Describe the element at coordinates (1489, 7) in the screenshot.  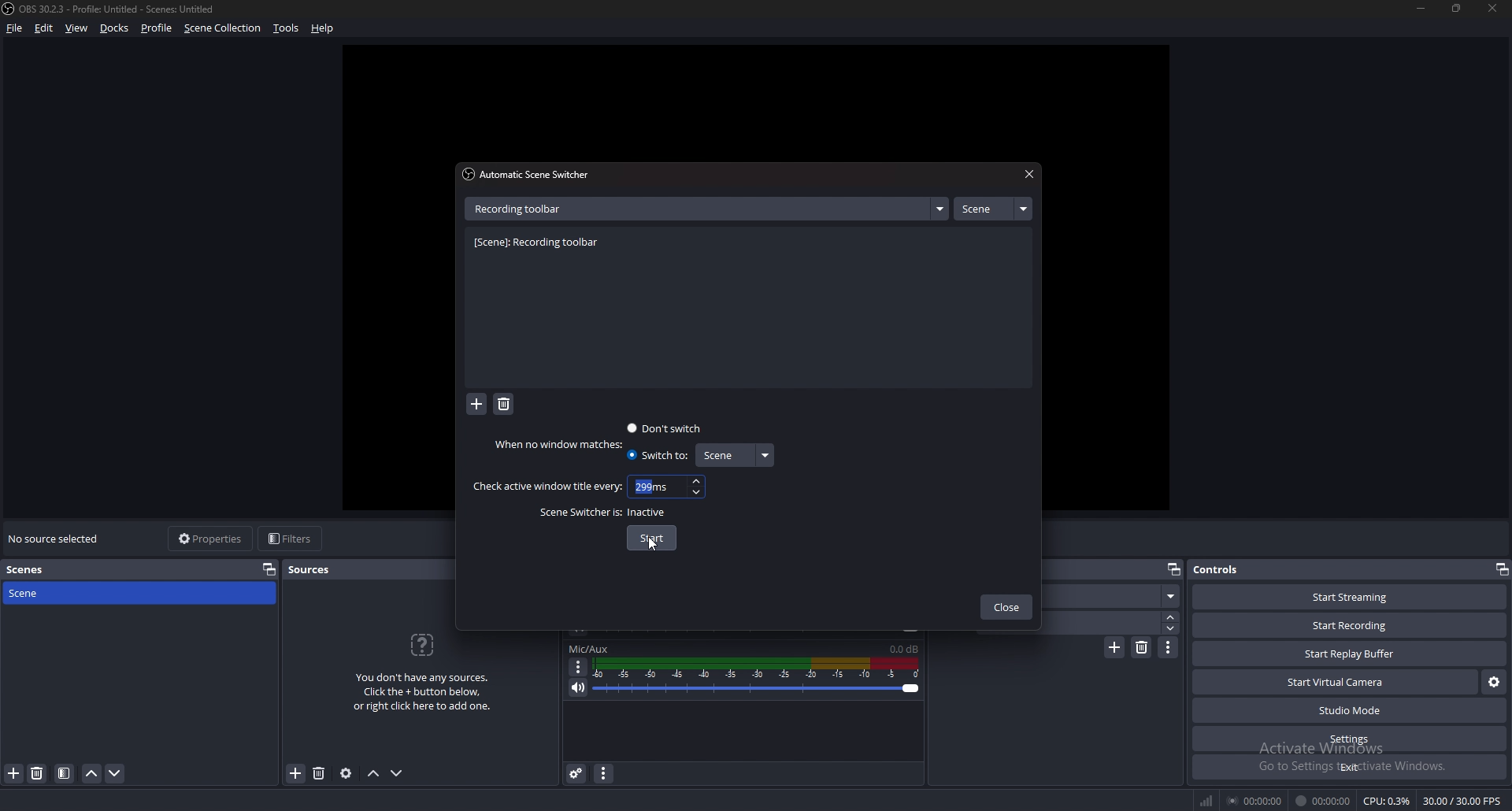
I see `close` at that location.